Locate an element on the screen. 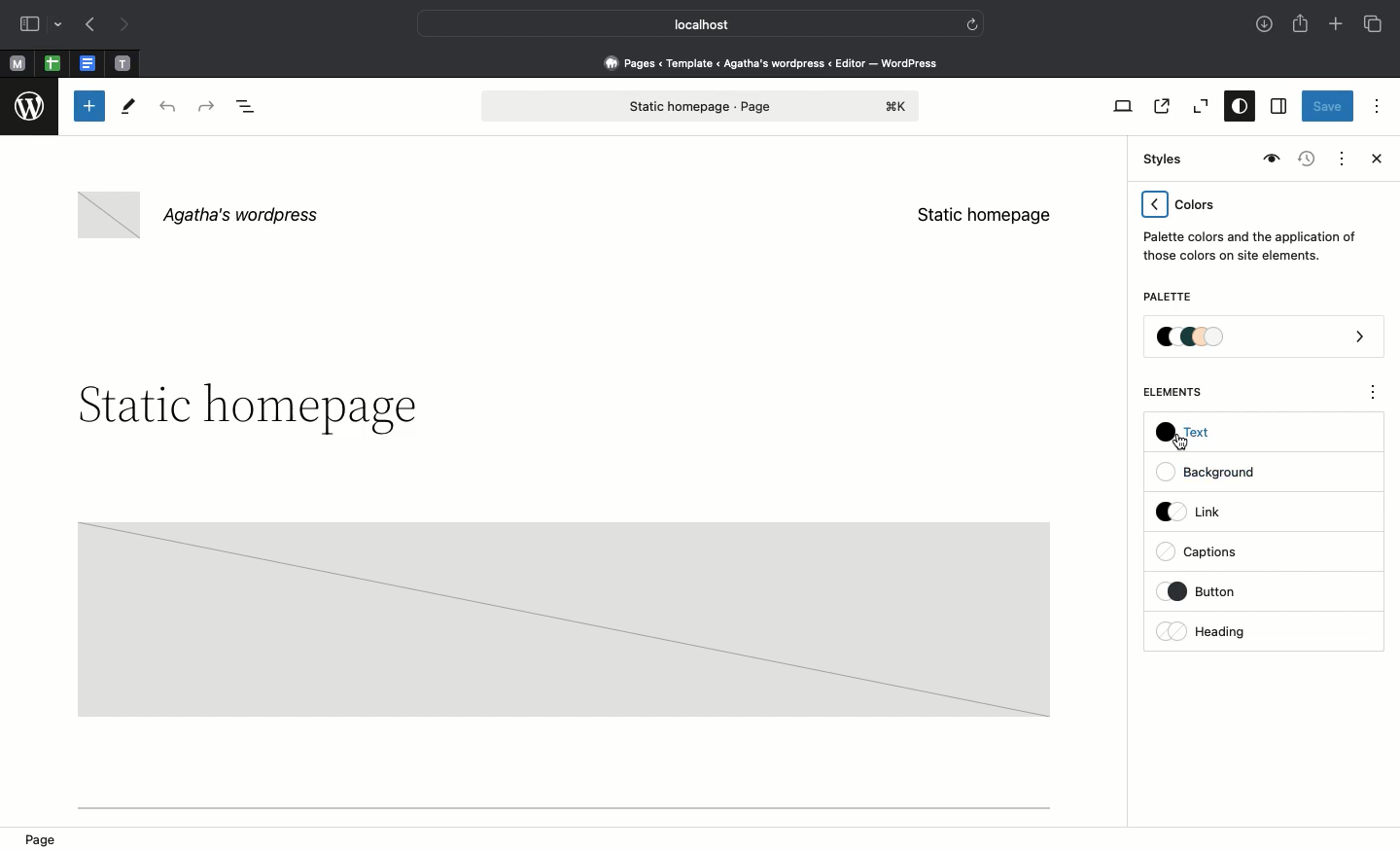 This screenshot has height=850, width=1400. refresh is located at coordinates (972, 22).